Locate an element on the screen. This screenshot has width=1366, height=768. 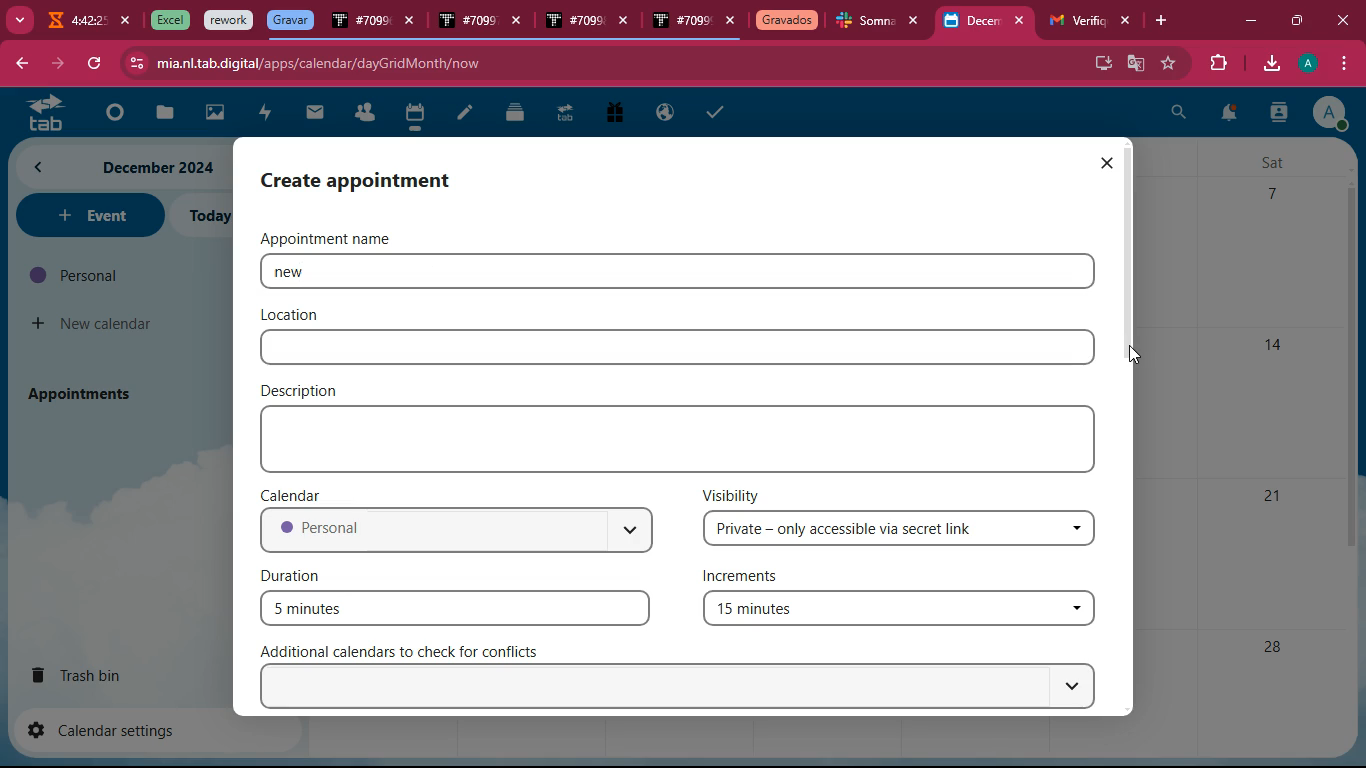
15 minutes is located at coordinates (896, 611).